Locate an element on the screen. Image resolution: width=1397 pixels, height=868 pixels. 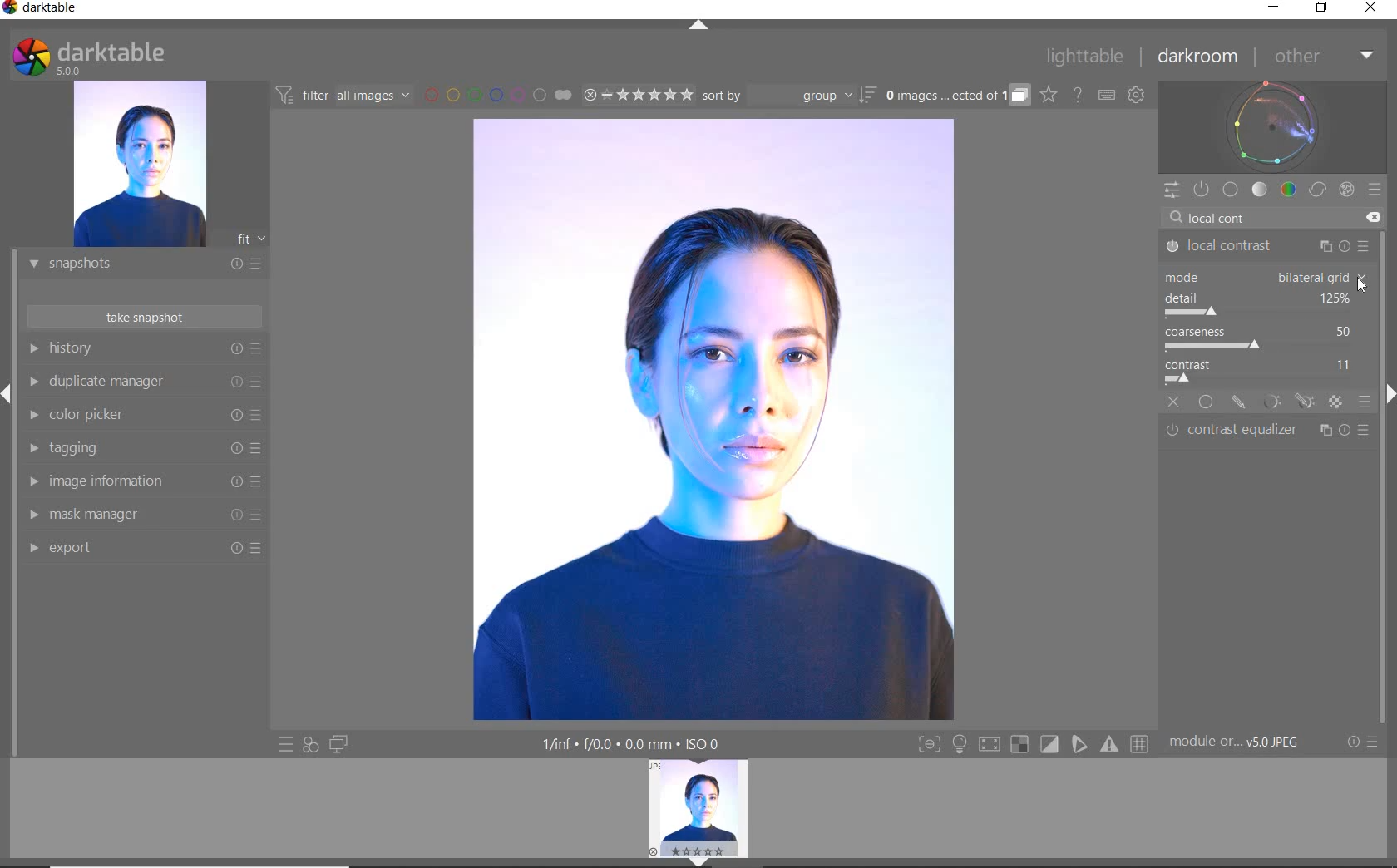
cursor is located at coordinates (1360, 284).